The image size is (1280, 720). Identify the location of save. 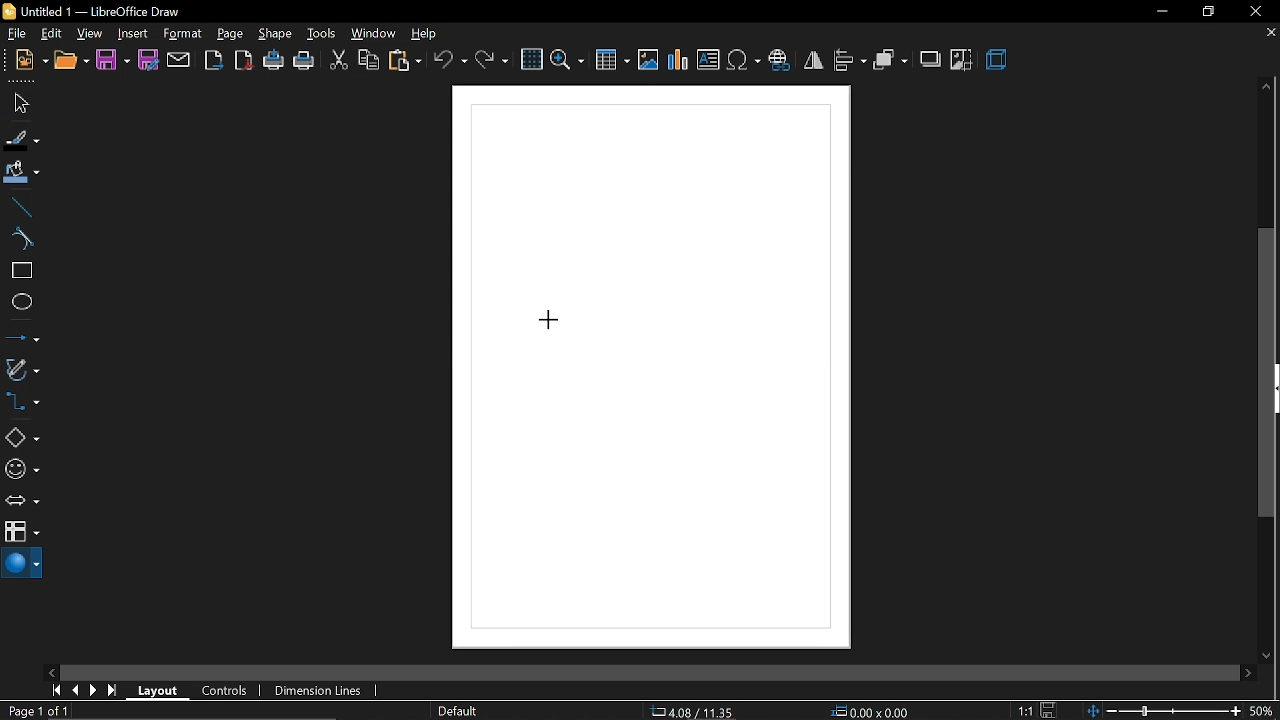
(1052, 709).